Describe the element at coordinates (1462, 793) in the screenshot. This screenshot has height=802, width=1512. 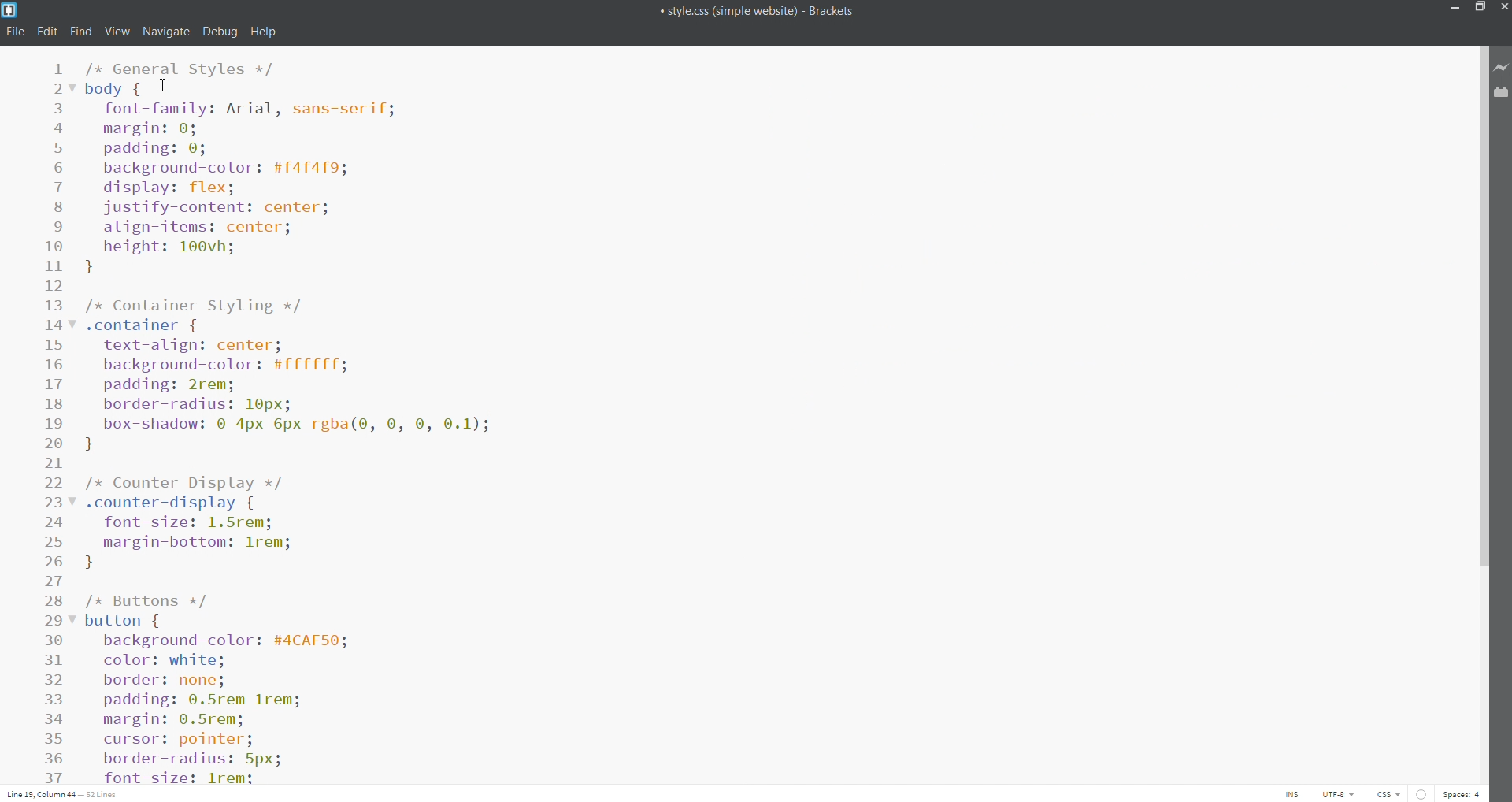
I see `space count` at that location.